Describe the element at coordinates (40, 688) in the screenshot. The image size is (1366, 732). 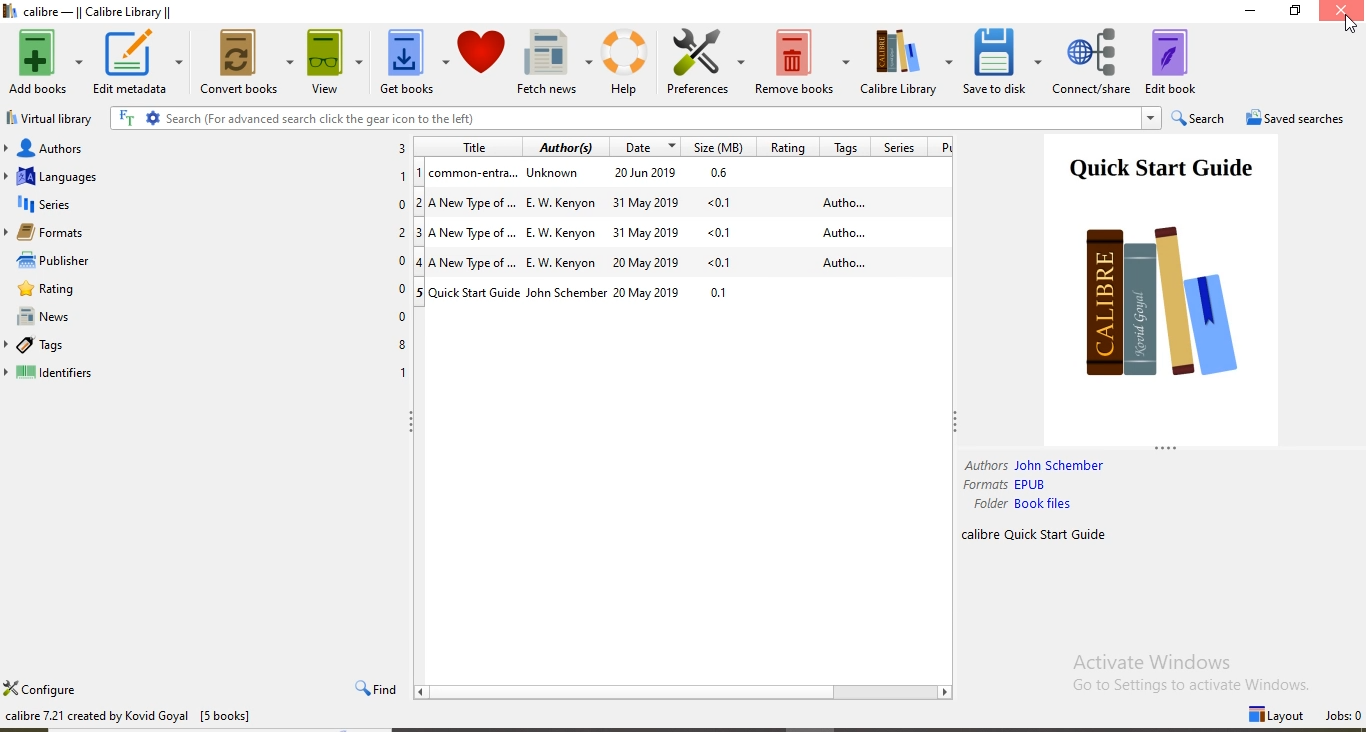
I see `Configure` at that location.